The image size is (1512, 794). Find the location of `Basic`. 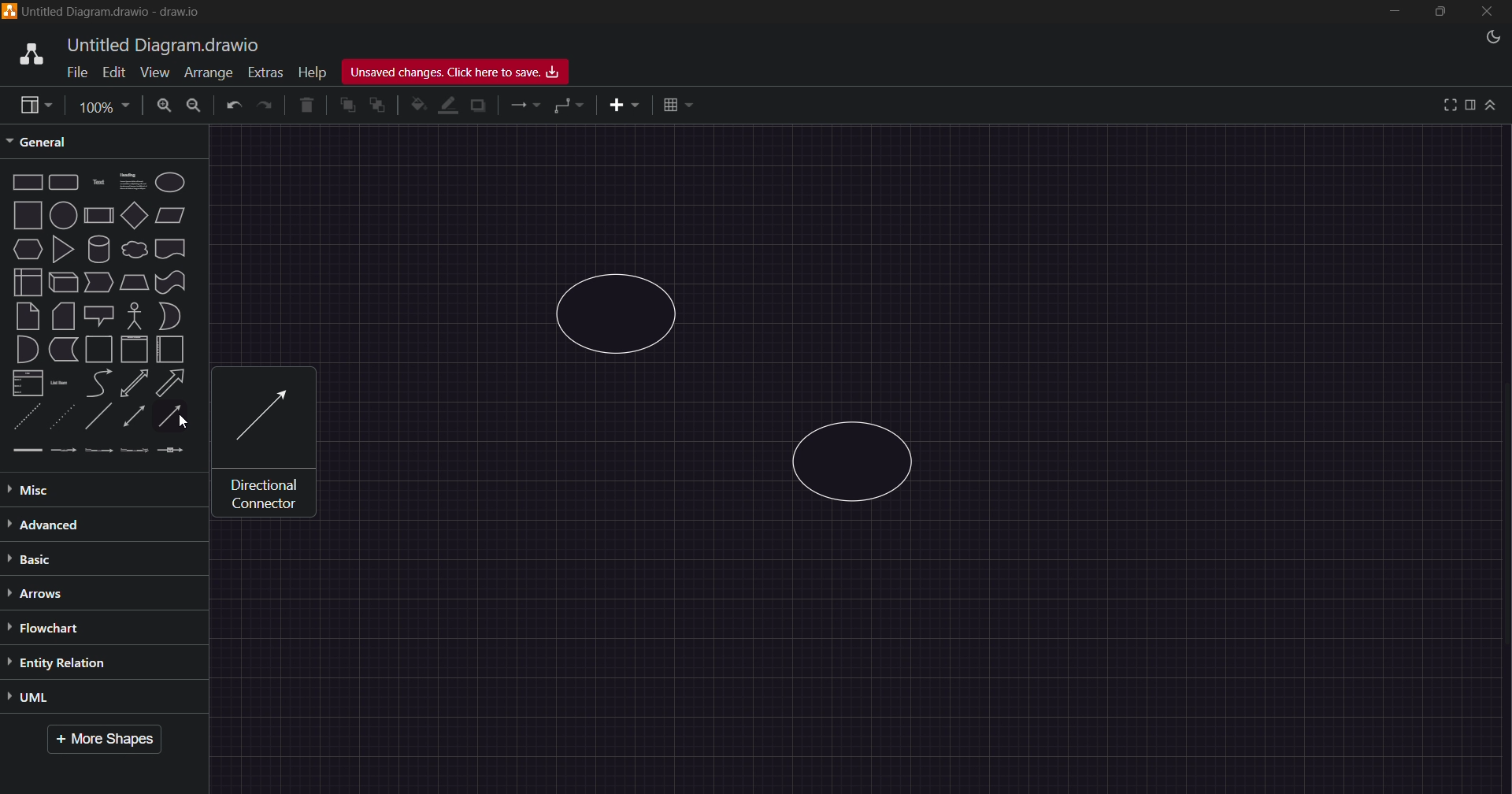

Basic is located at coordinates (43, 559).